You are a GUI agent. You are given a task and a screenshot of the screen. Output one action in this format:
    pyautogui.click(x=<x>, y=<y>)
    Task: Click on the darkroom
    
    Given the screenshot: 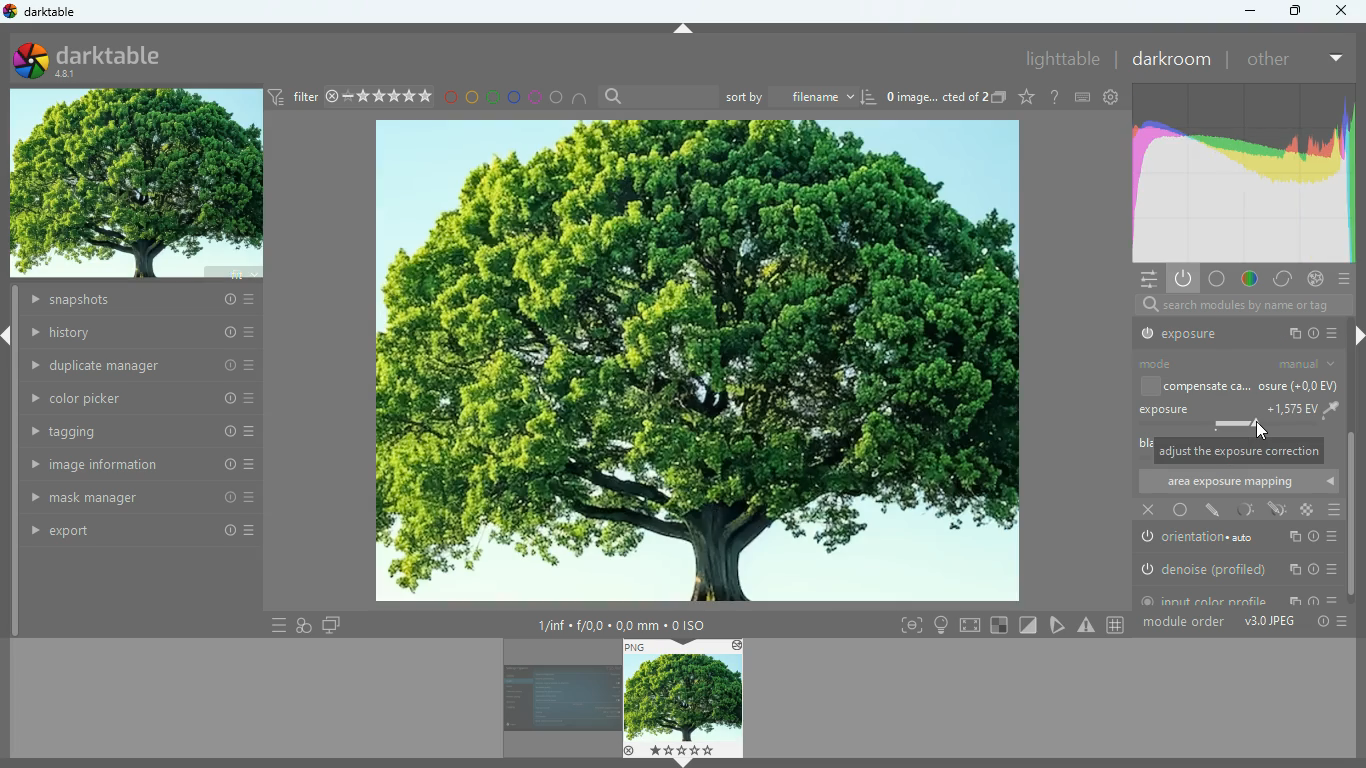 What is the action you would take?
    pyautogui.click(x=1174, y=60)
    